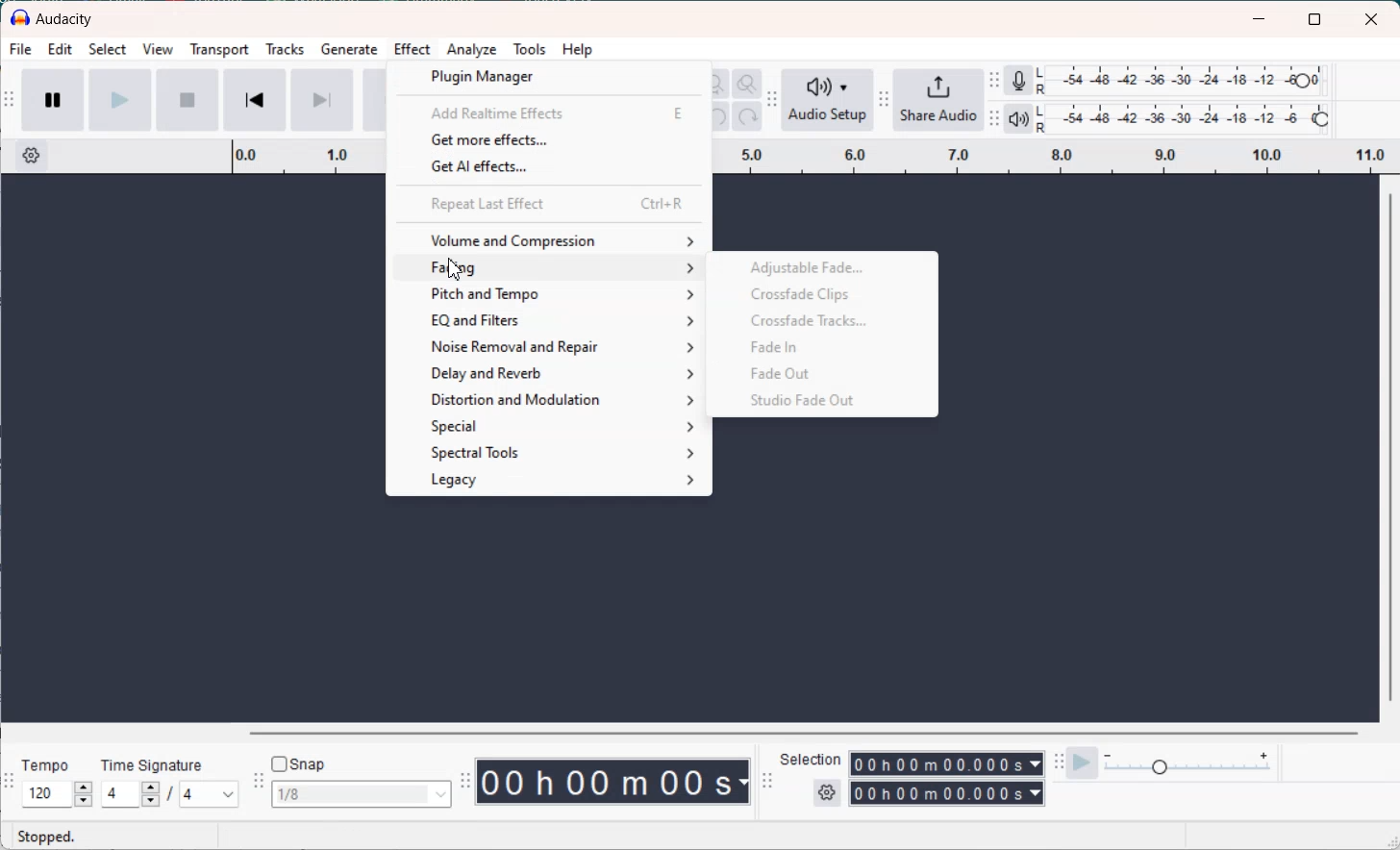 The height and width of the screenshot is (850, 1400). I want to click on Tools, so click(529, 49).